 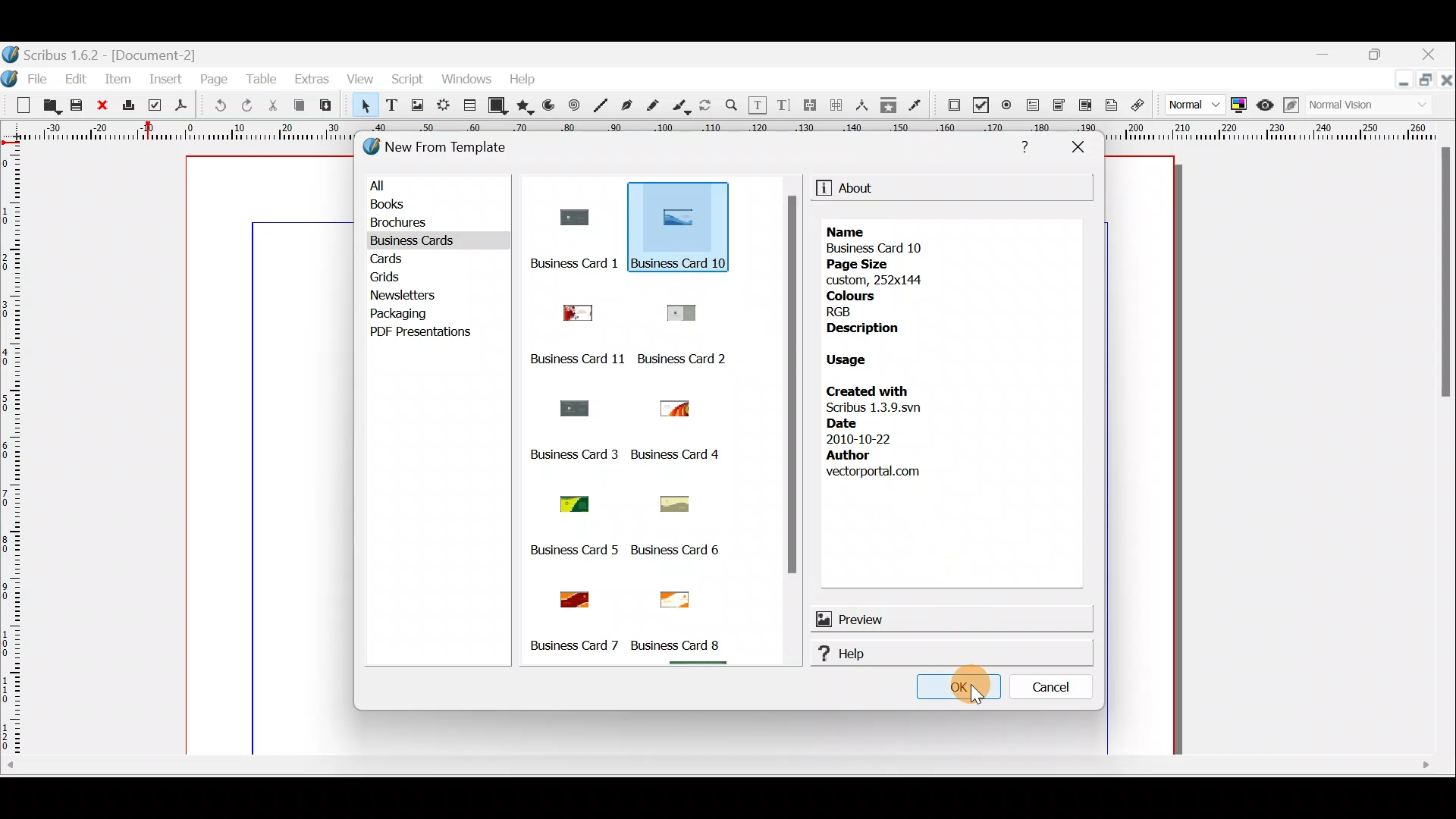 What do you see at coordinates (1027, 148) in the screenshot?
I see `Help` at bounding box center [1027, 148].